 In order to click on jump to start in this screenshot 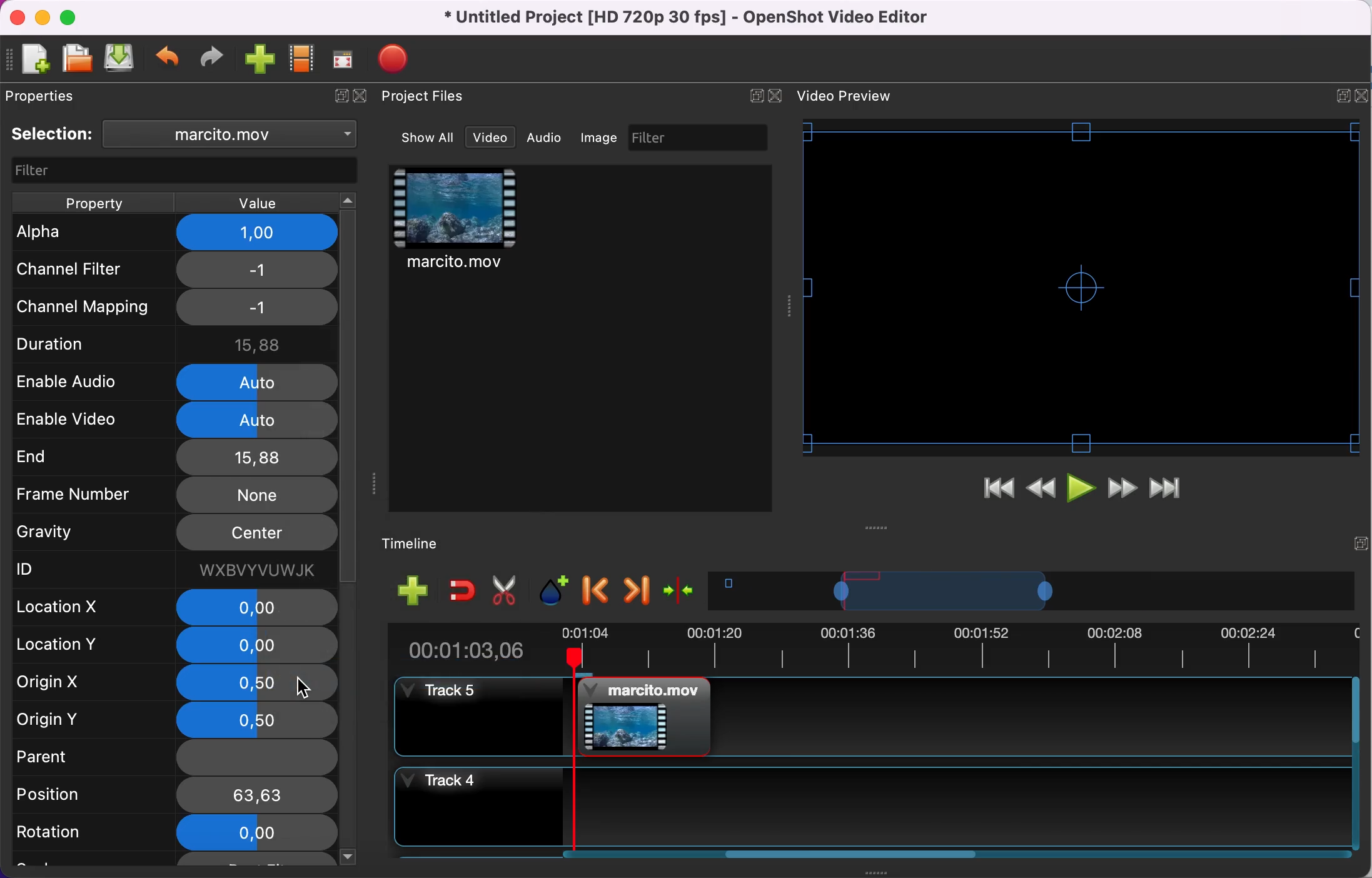, I will do `click(998, 492)`.